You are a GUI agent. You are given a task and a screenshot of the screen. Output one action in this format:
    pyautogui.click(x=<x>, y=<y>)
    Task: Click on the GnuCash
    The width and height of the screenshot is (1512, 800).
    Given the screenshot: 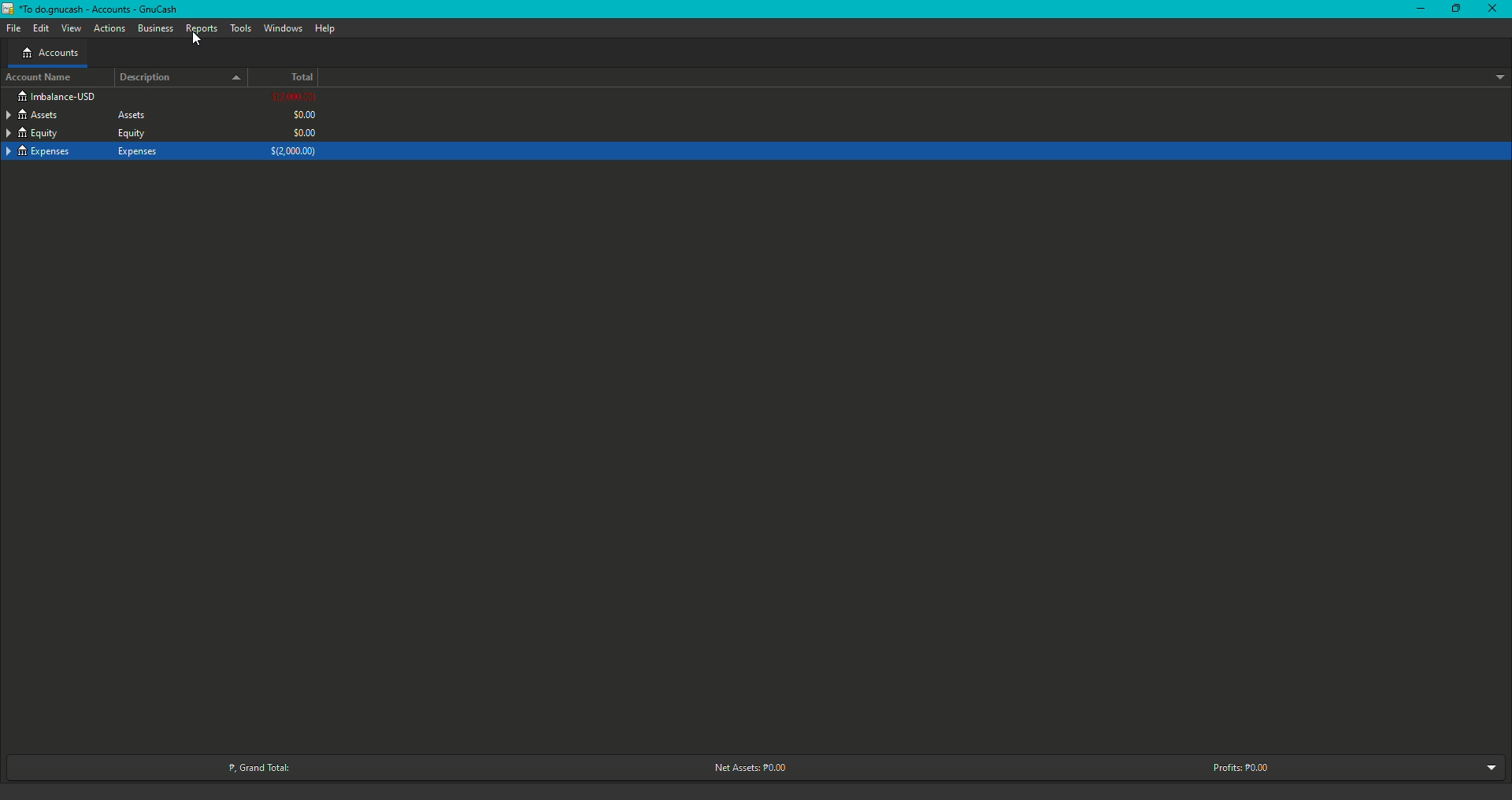 What is the action you would take?
    pyautogui.click(x=94, y=9)
    